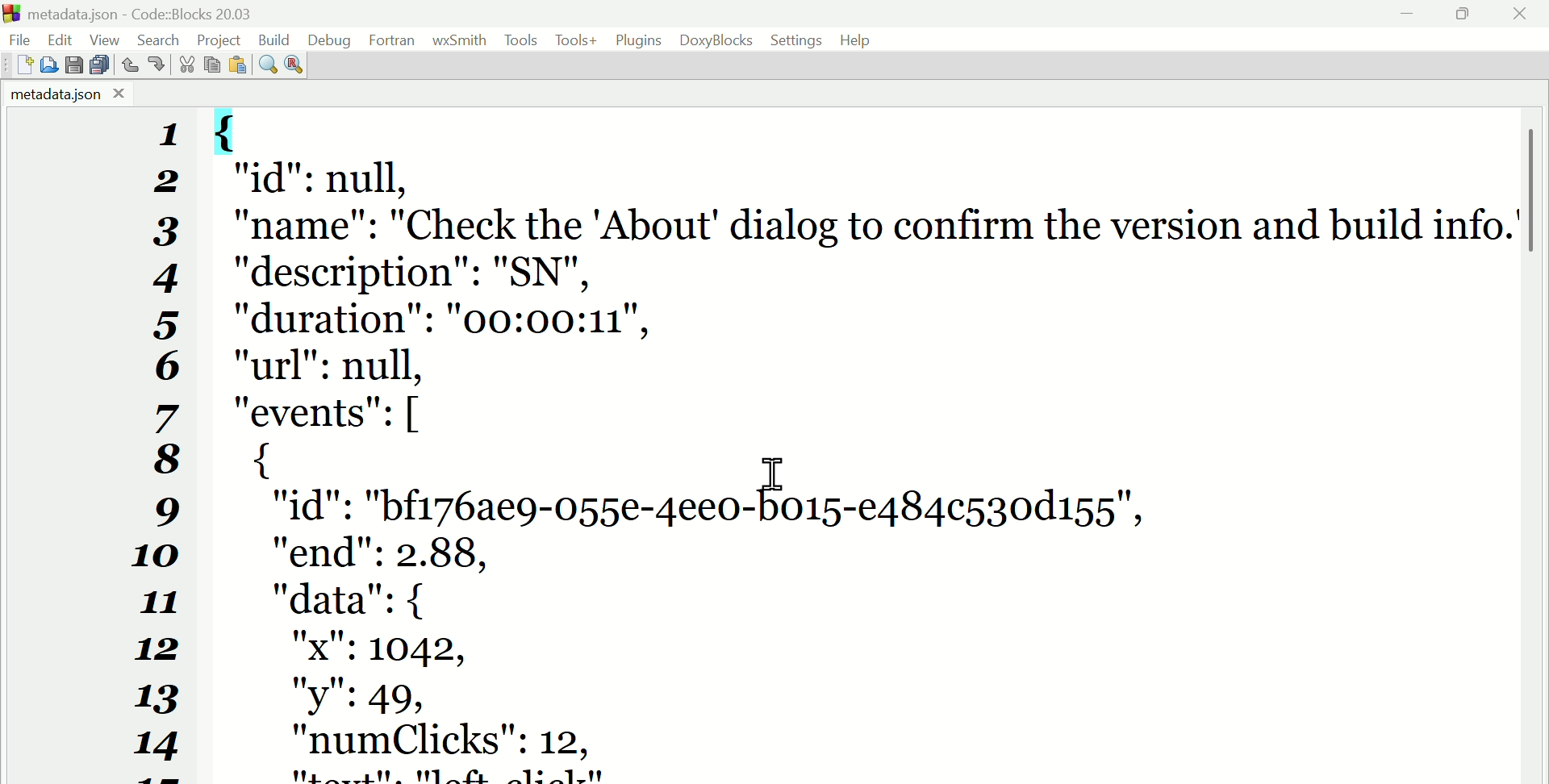 This screenshot has height=784, width=1549. I want to click on Metadata.Json code blocks 20.03, so click(136, 14).